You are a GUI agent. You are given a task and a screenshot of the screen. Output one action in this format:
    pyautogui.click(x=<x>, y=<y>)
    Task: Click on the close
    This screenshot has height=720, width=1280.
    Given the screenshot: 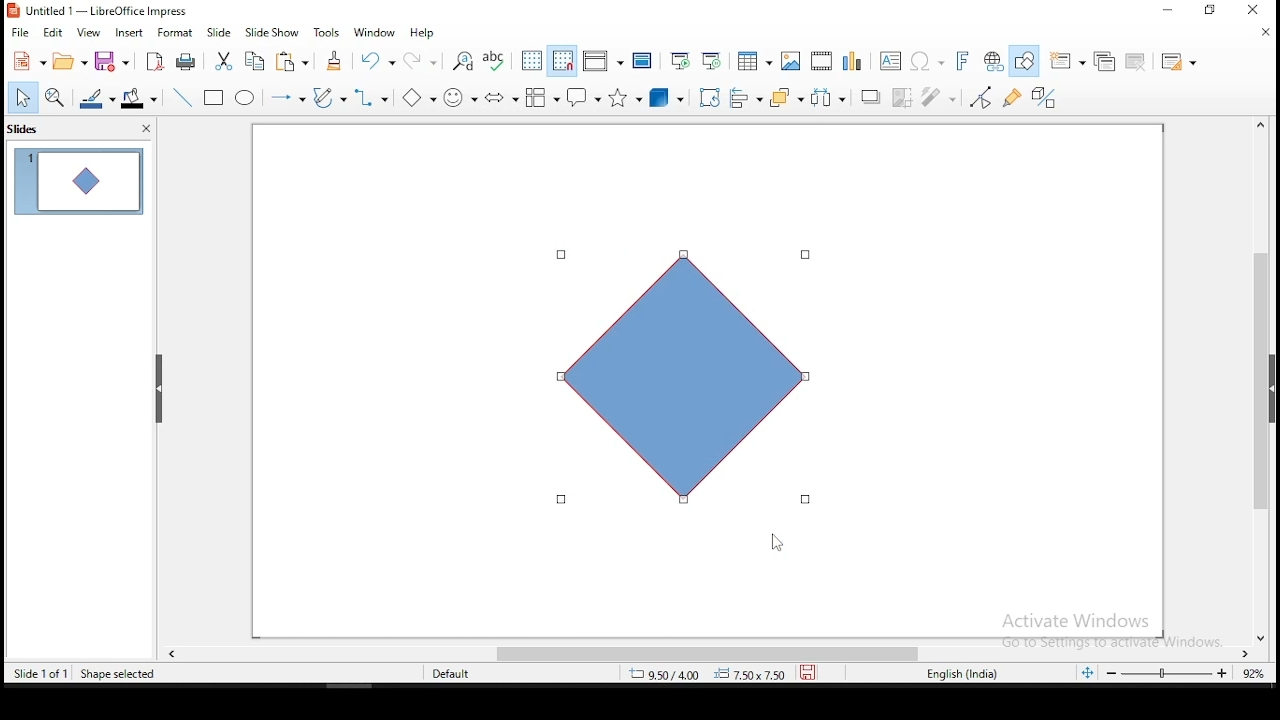 What is the action you would take?
    pyautogui.click(x=150, y=128)
    